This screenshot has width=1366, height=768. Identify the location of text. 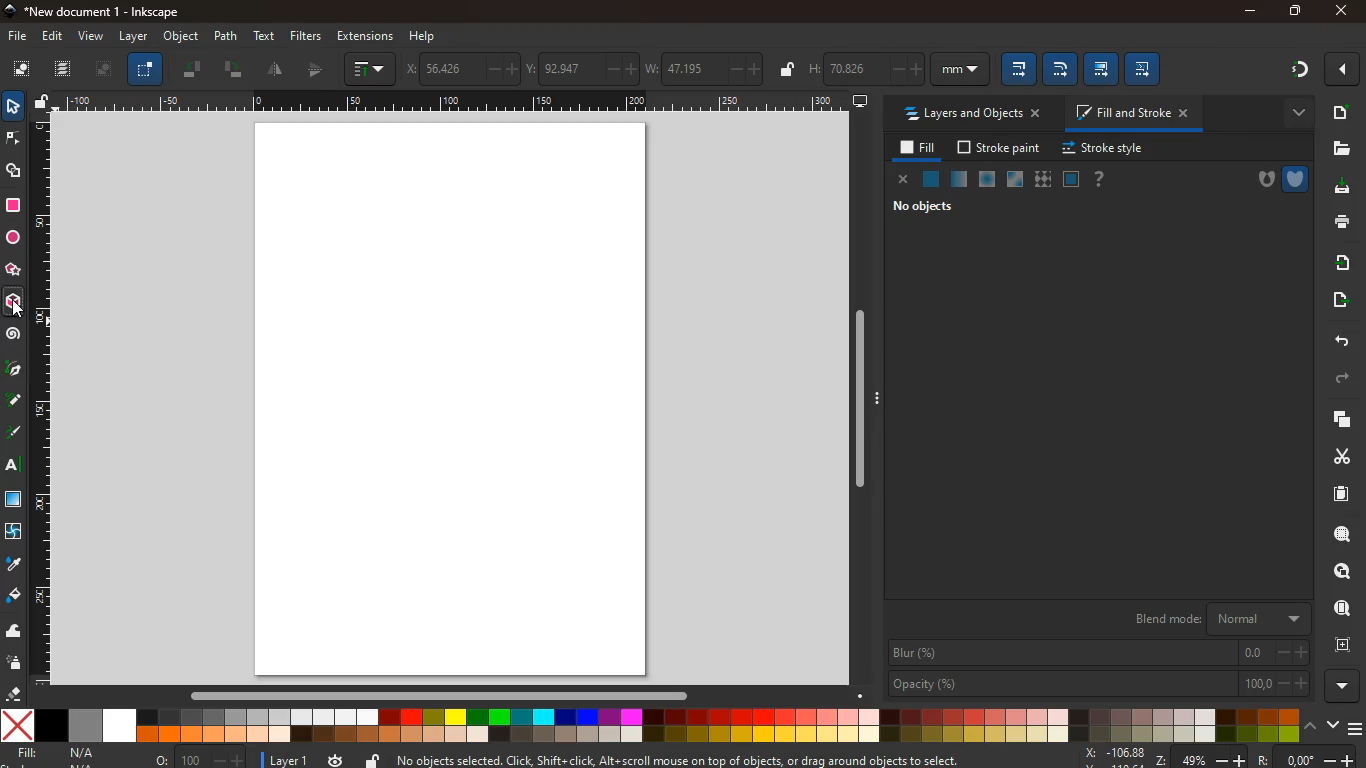
(10, 466).